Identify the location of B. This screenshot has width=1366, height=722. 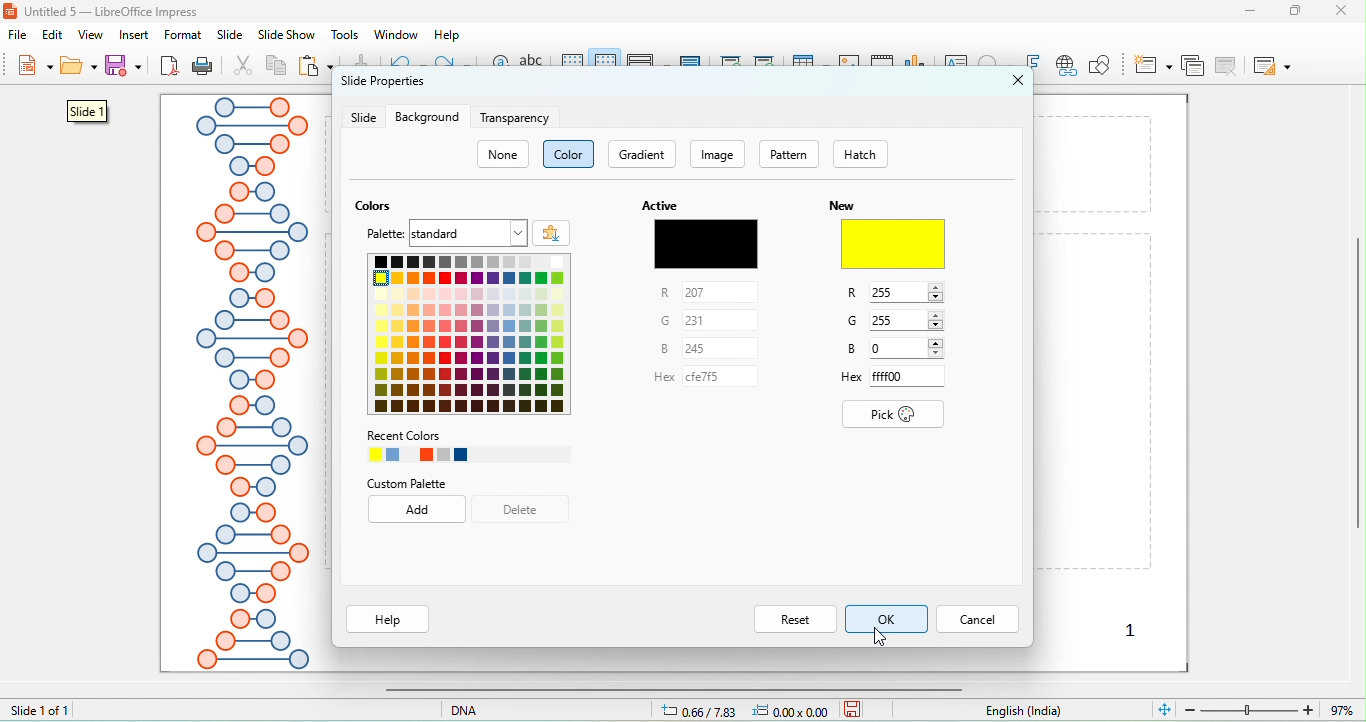
(899, 350).